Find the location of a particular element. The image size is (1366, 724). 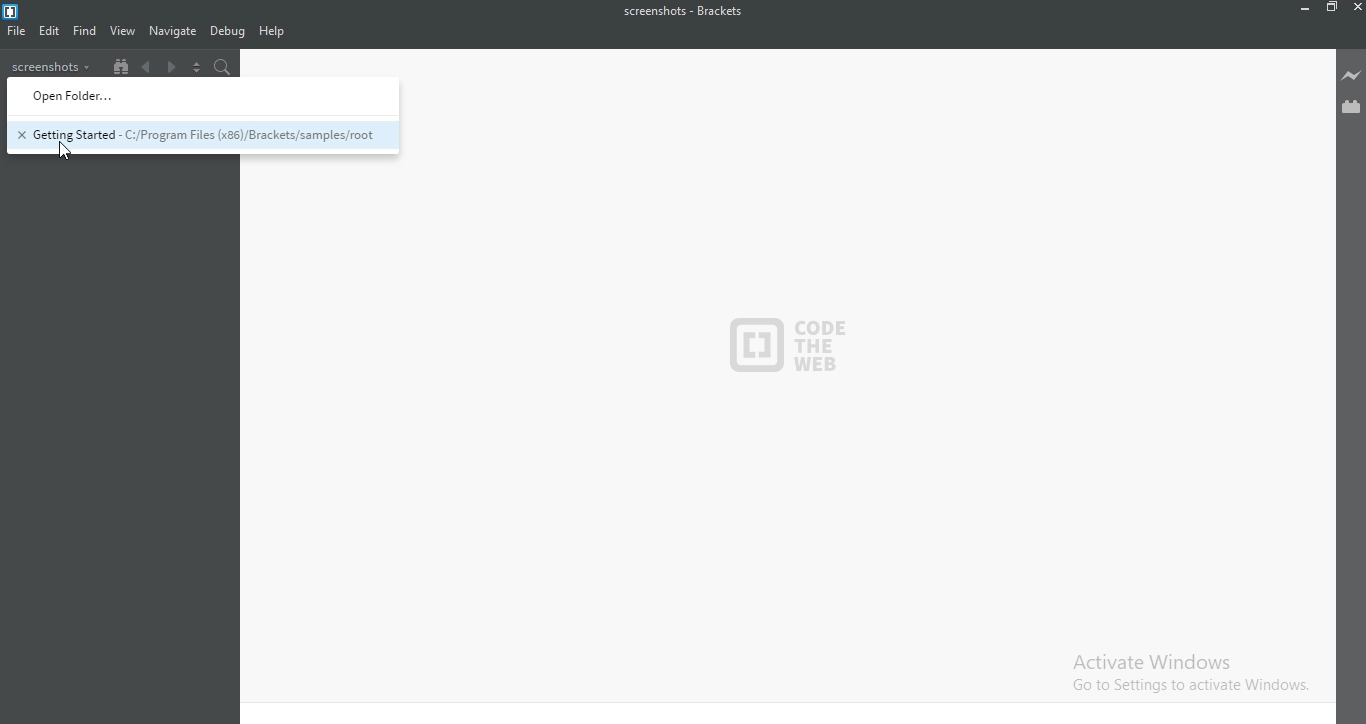

view is located at coordinates (124, 31).